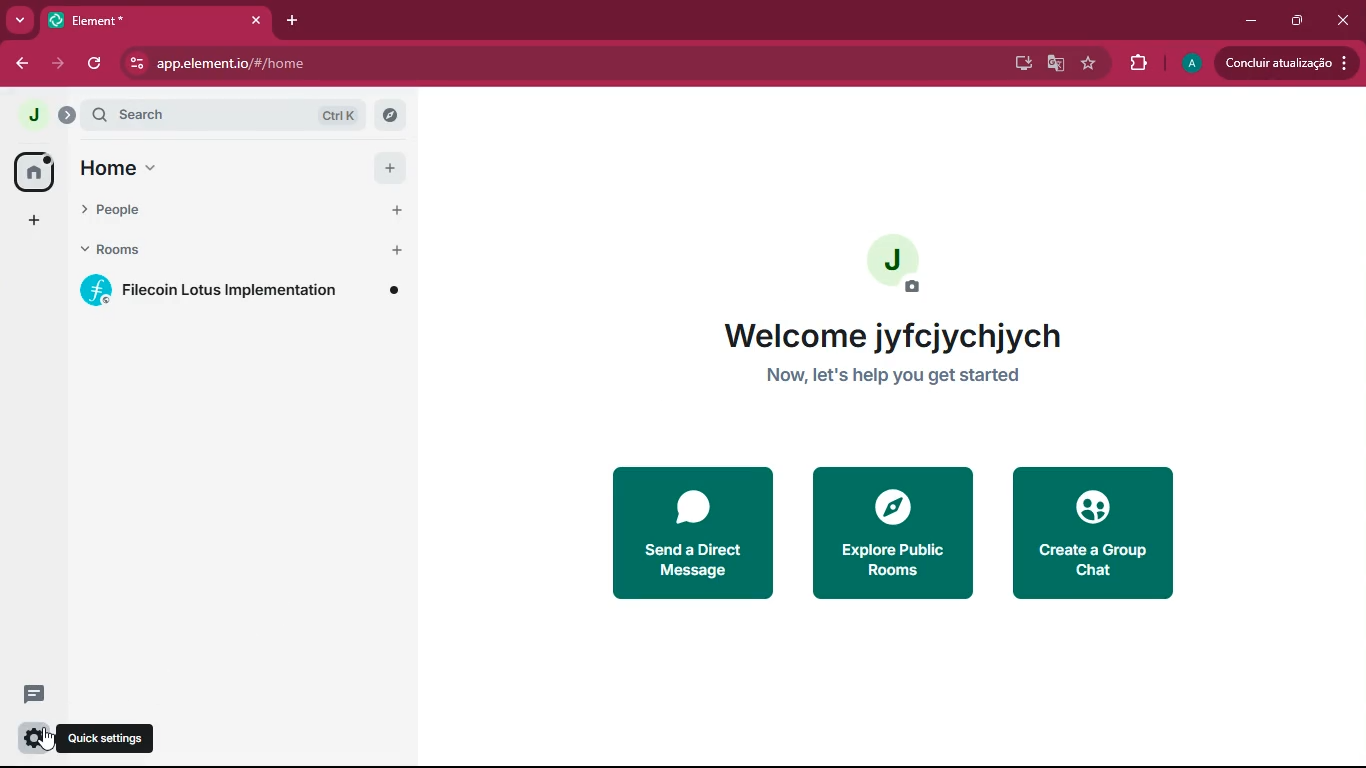  What do you see at coordinates (155, 22) in the screenshot?
I see `element` at bounding box center [155, 22].